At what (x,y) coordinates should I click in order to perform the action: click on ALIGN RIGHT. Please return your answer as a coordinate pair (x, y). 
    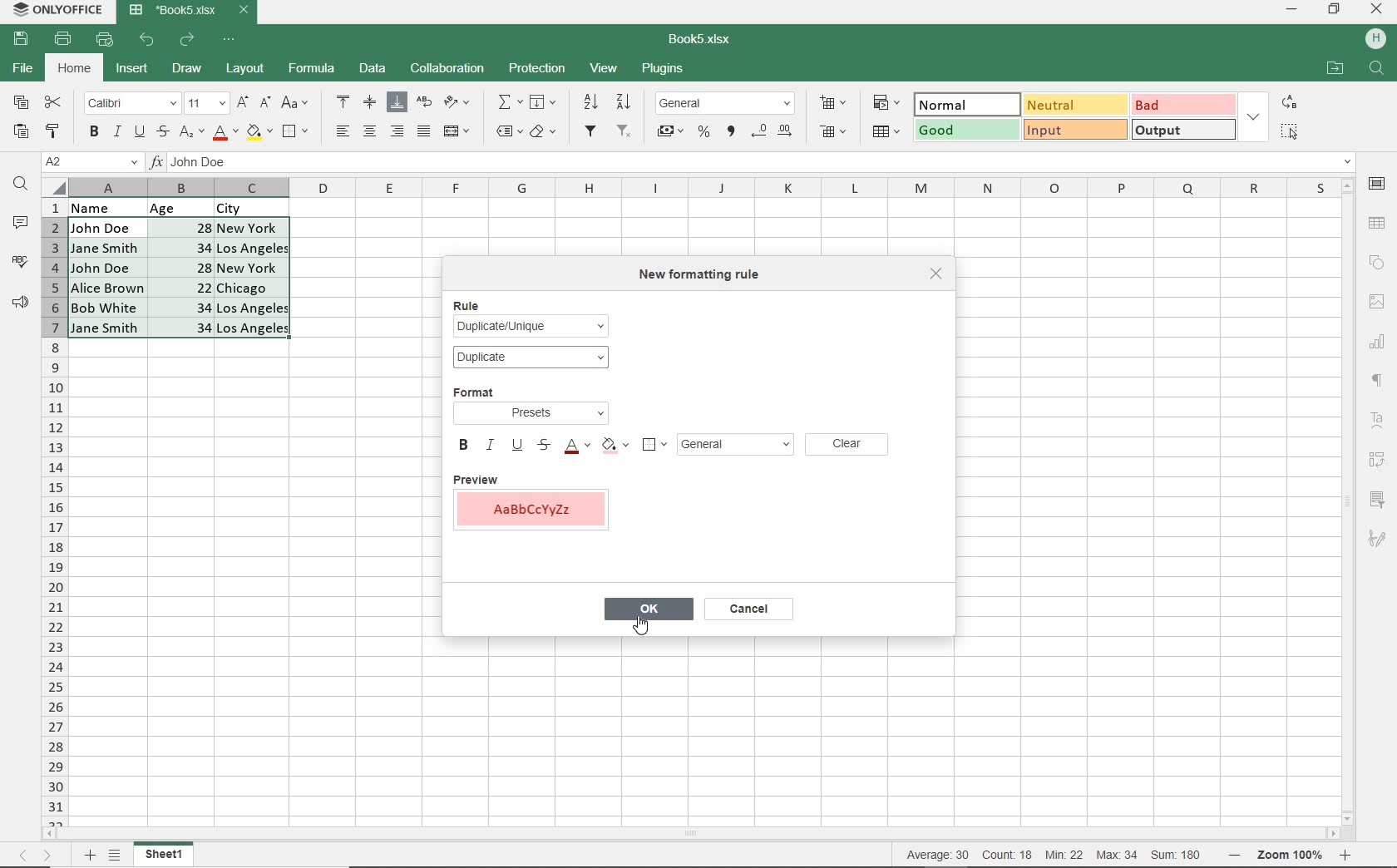
    Looking at the image, I should click on (397, 131).